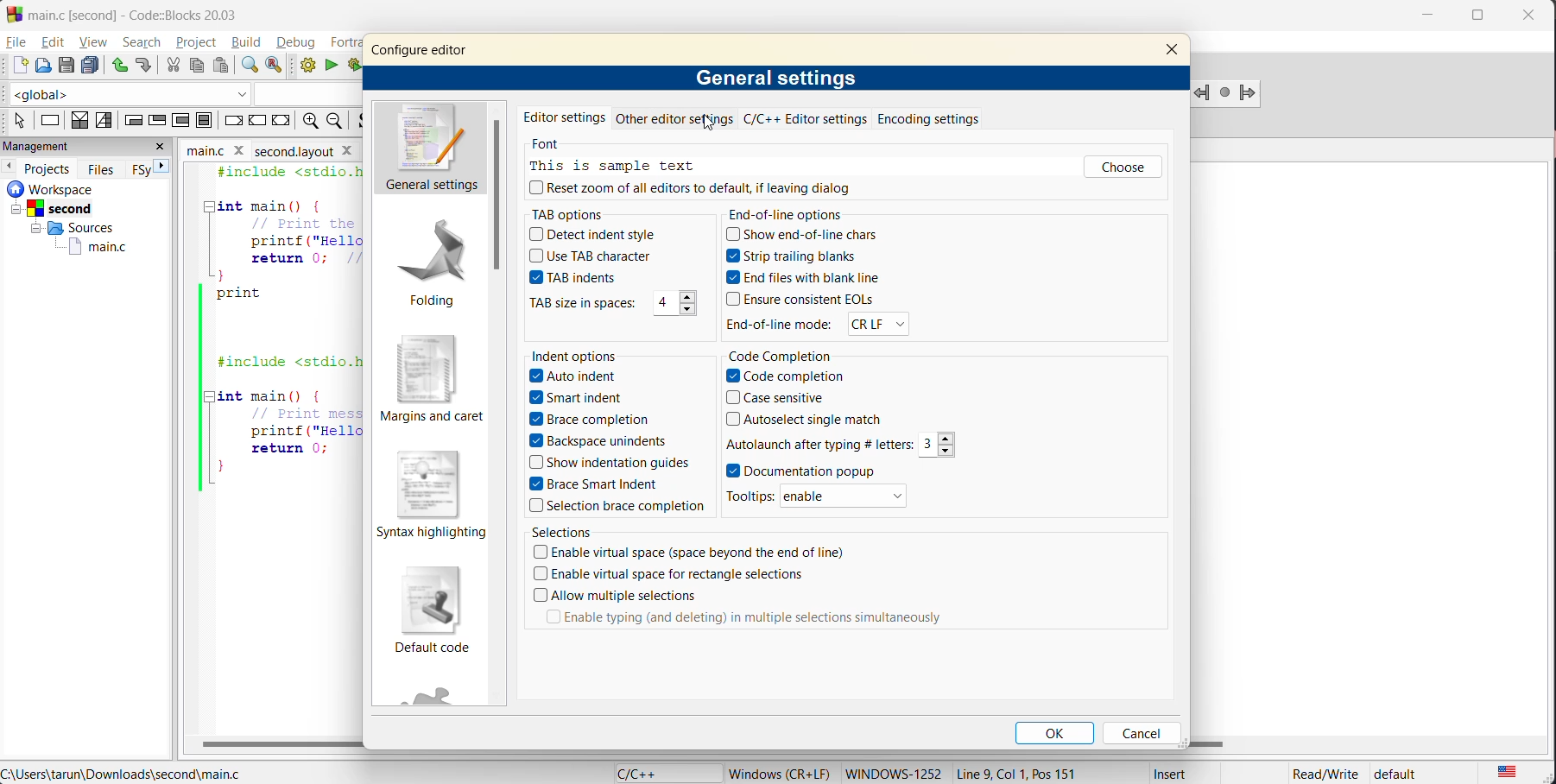 The image size is (1556, 784). Describe the element at coordinates (56, 41) in the screenshot. I see `edit` at that location.